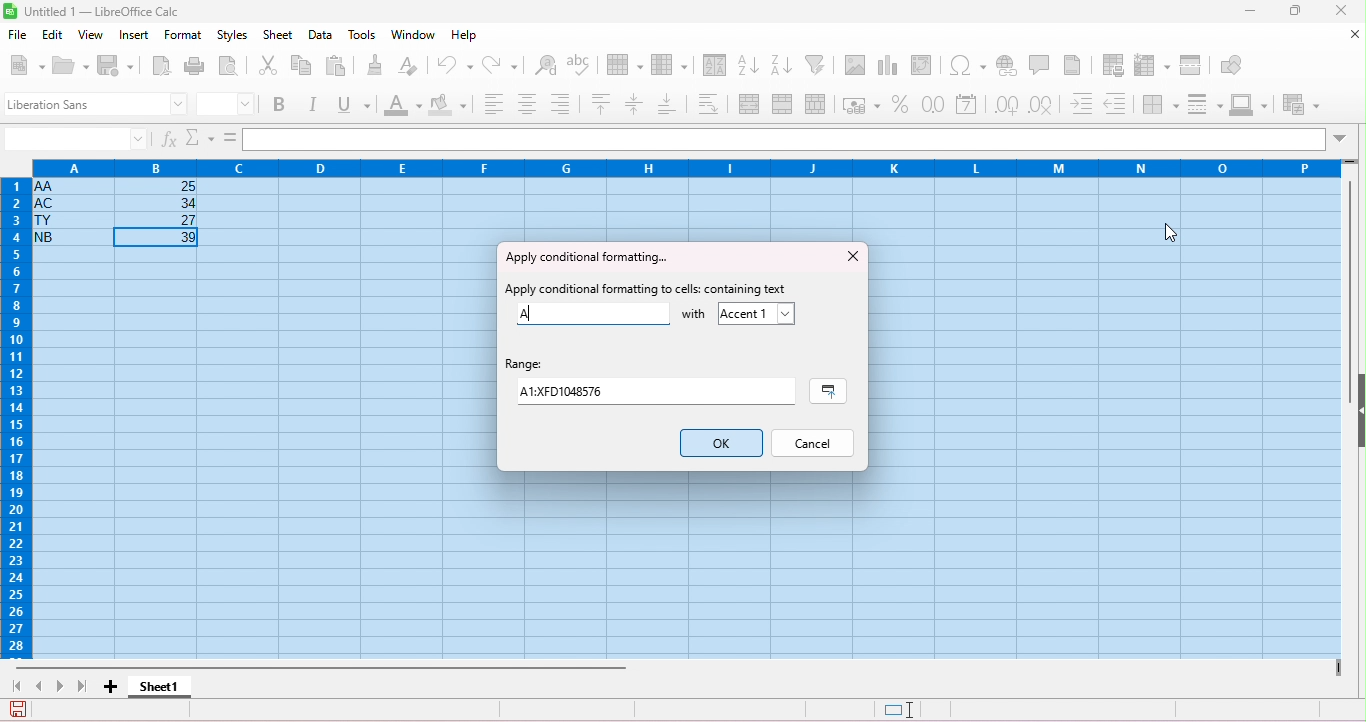  I want to click on edit, so click(54, 36).